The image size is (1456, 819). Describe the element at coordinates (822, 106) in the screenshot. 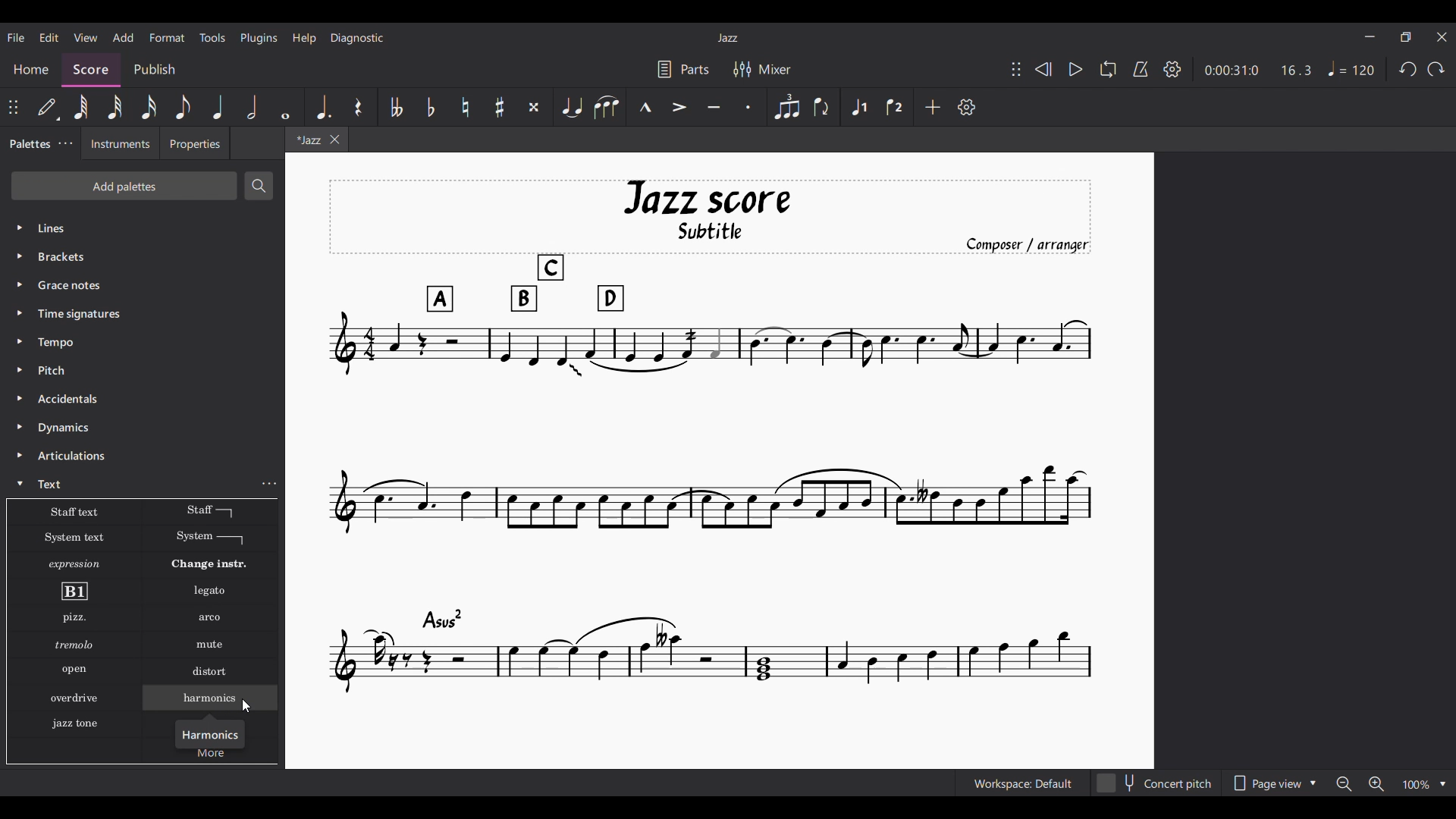

I see `Flip direction` at that location.